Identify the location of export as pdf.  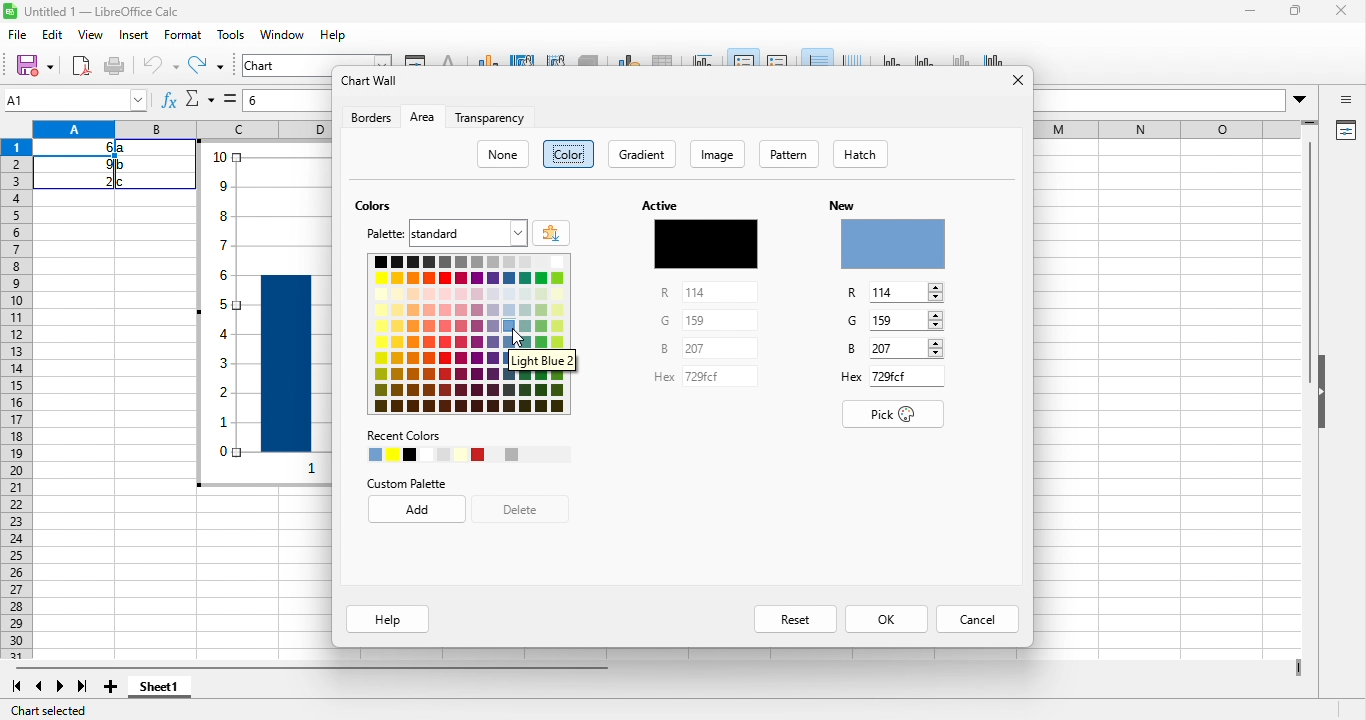
(81, 65).